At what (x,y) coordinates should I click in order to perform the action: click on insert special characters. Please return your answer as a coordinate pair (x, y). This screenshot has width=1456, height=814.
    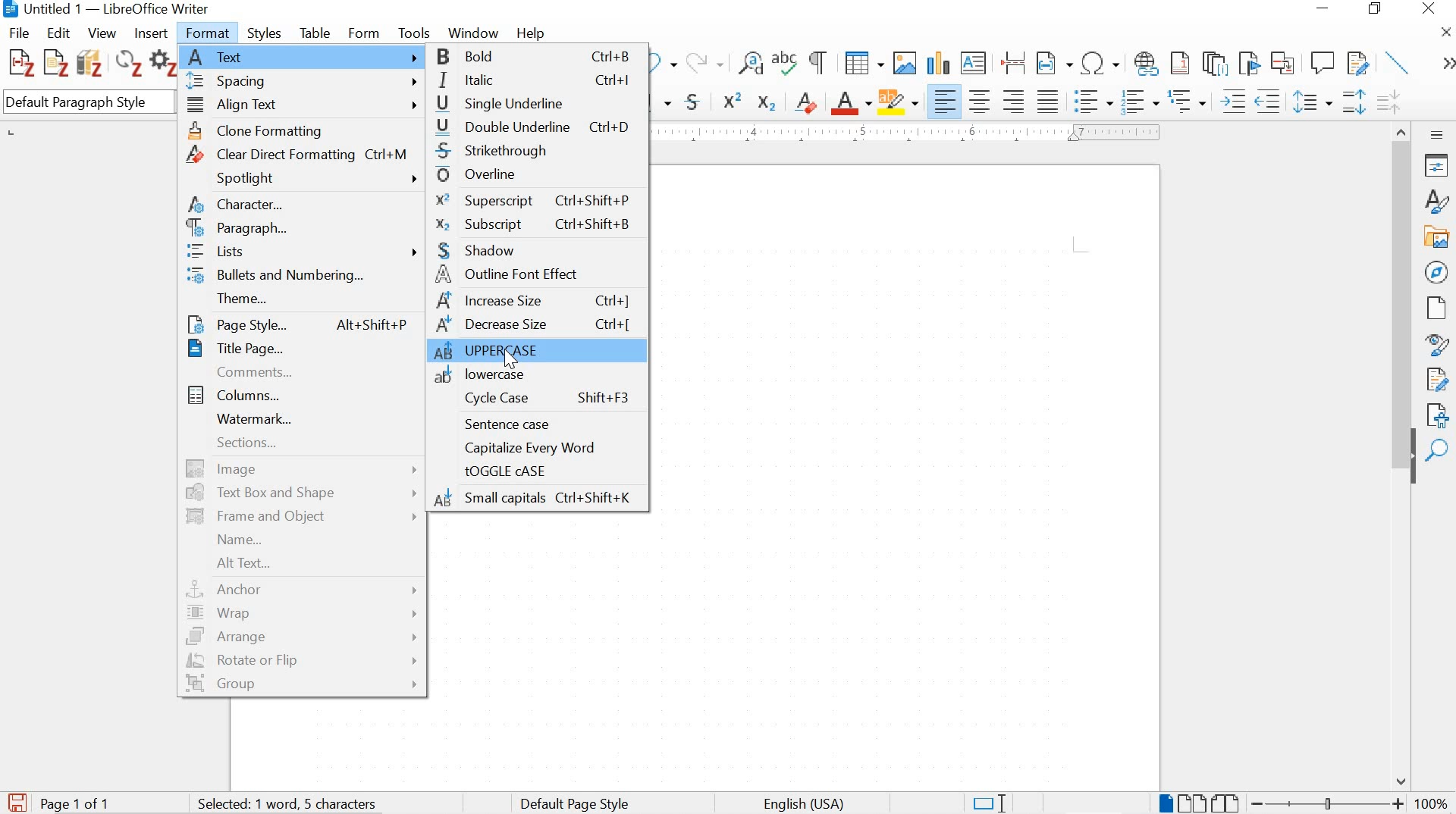
    Looking at the image, I should click on (1101, 64).